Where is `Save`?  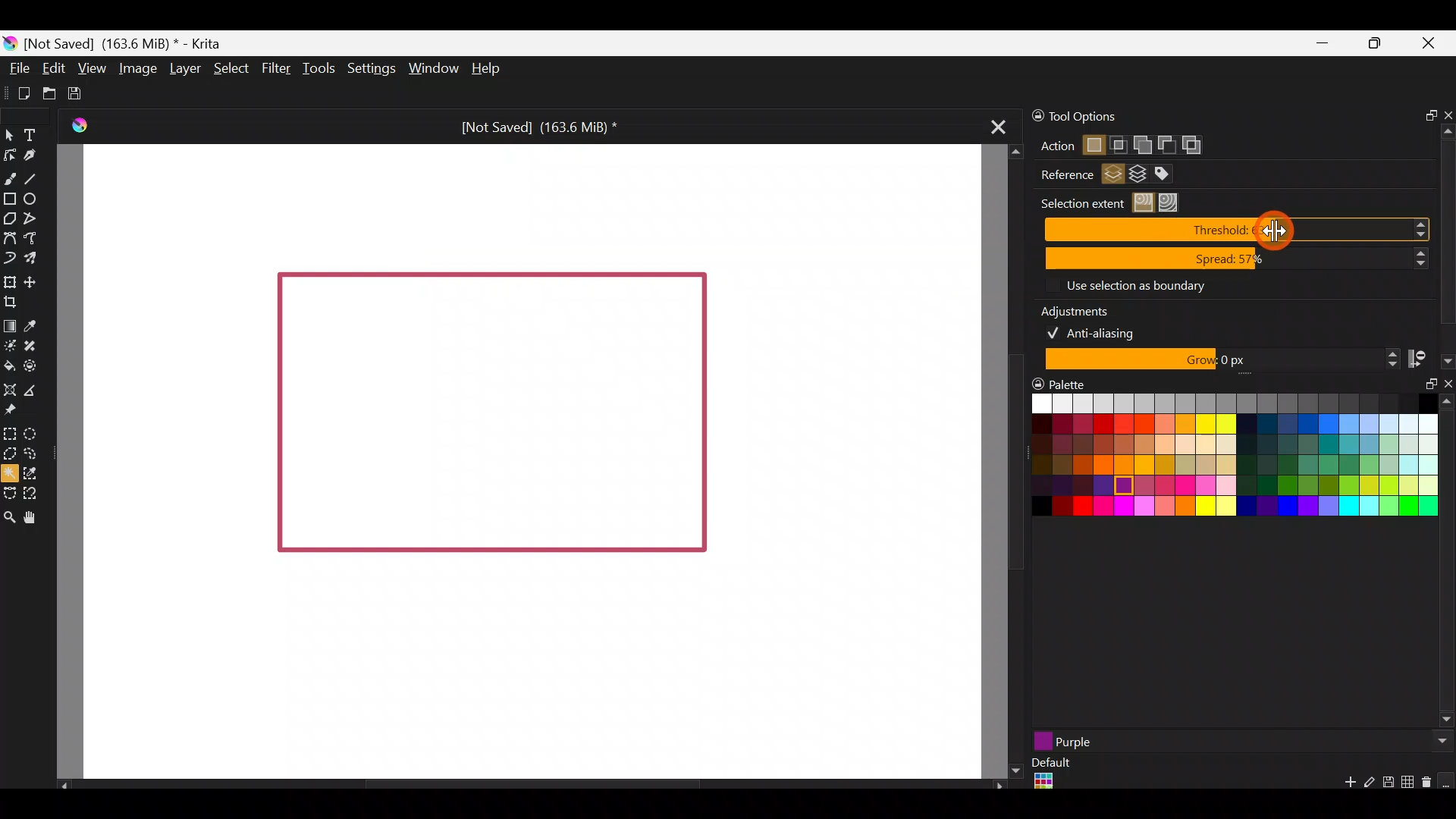 Save is located at coordinates (80, 94).